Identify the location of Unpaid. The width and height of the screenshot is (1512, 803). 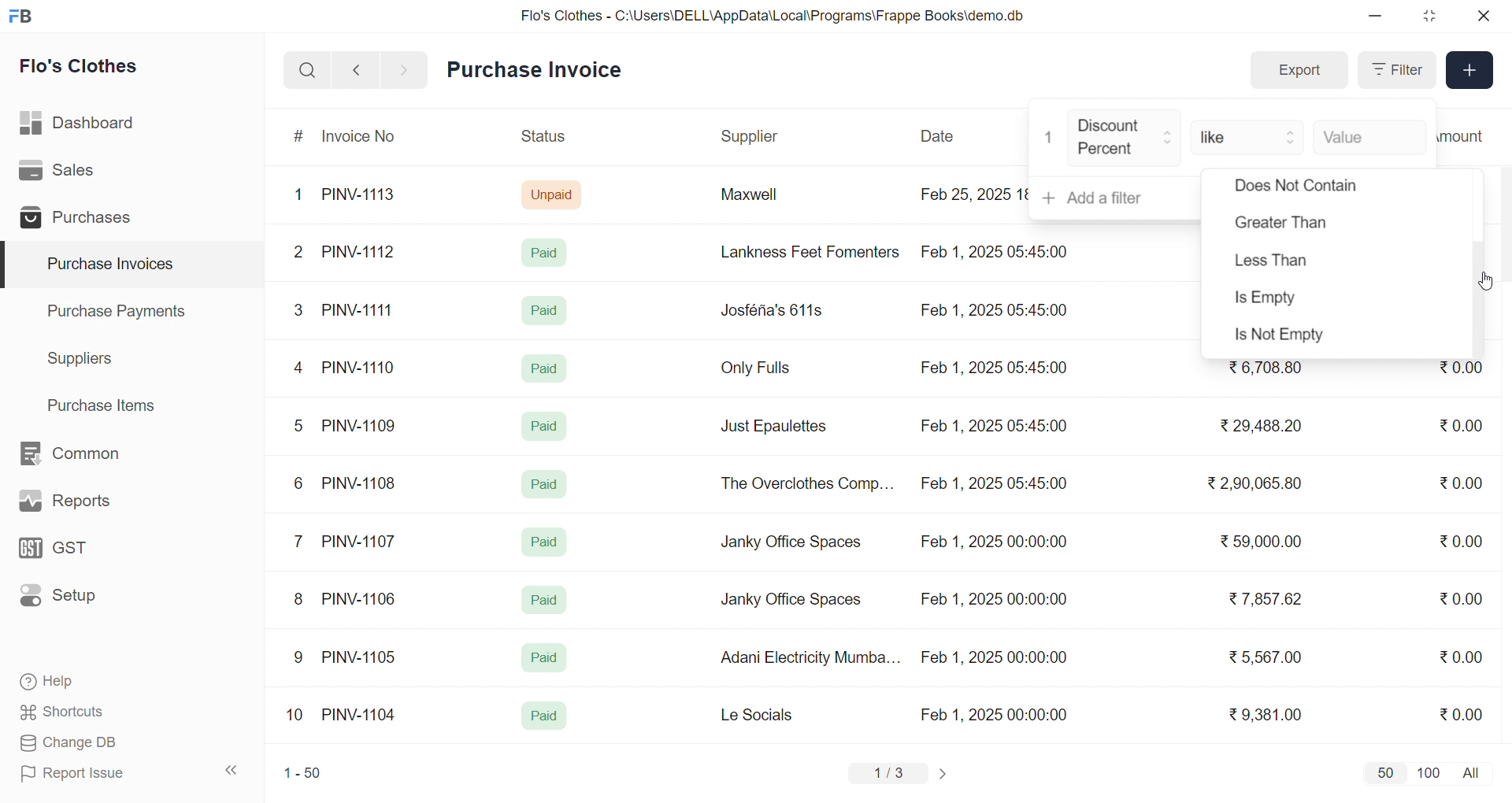
(554, 194).